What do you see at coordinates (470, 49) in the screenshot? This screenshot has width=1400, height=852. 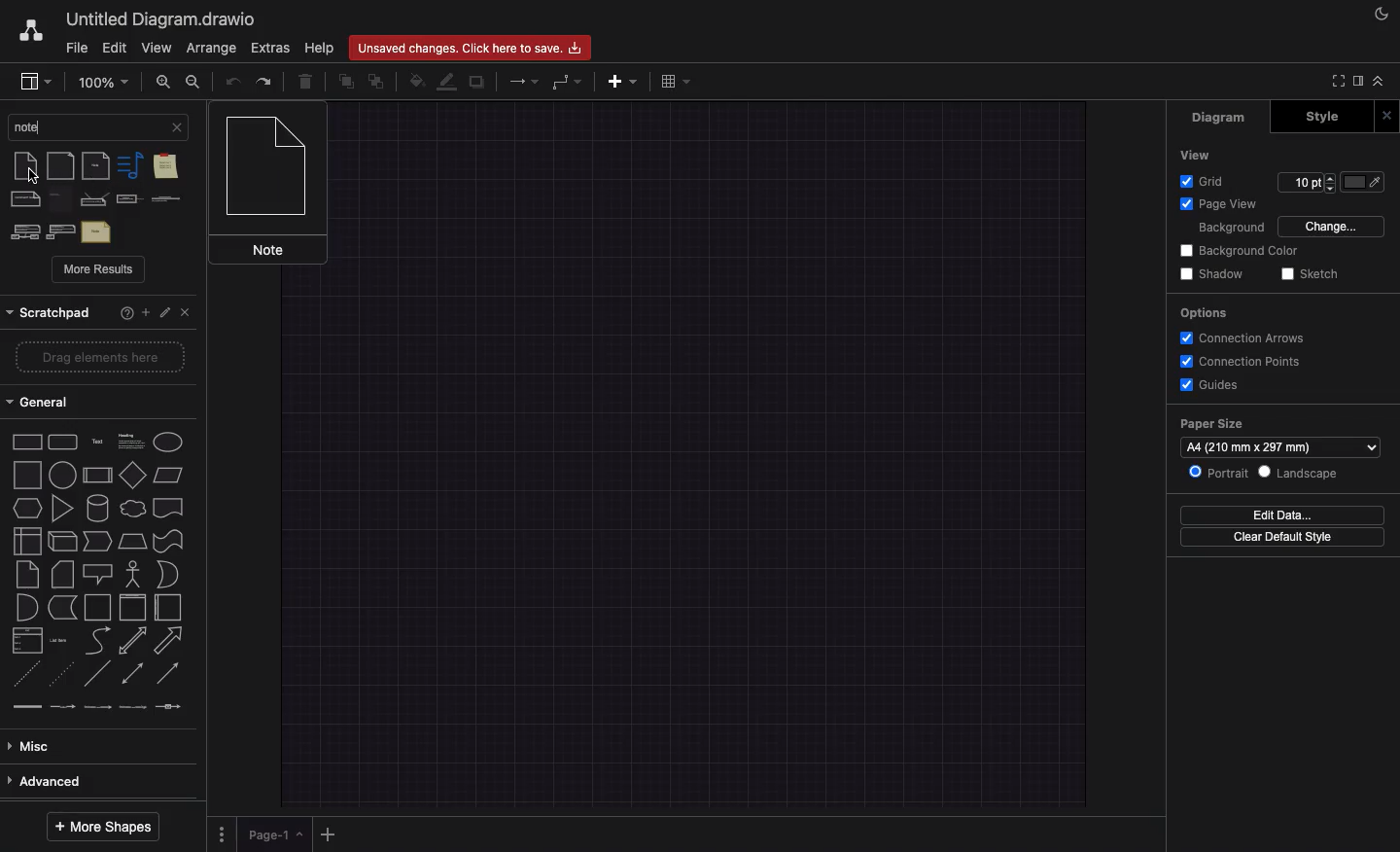 I see `Unsaved` at bounding box center [470, 49].